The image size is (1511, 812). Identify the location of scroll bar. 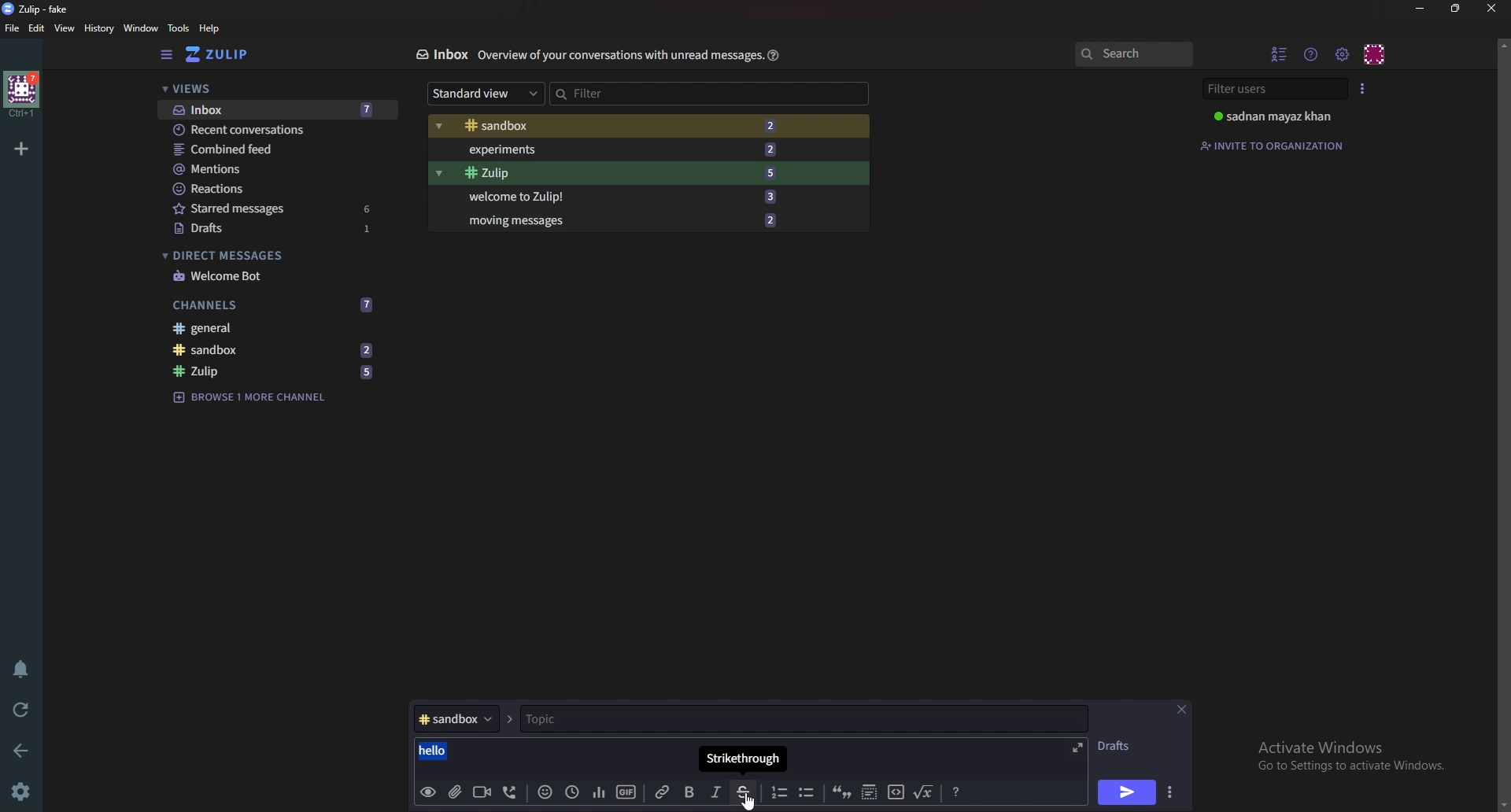
(1503, 424).